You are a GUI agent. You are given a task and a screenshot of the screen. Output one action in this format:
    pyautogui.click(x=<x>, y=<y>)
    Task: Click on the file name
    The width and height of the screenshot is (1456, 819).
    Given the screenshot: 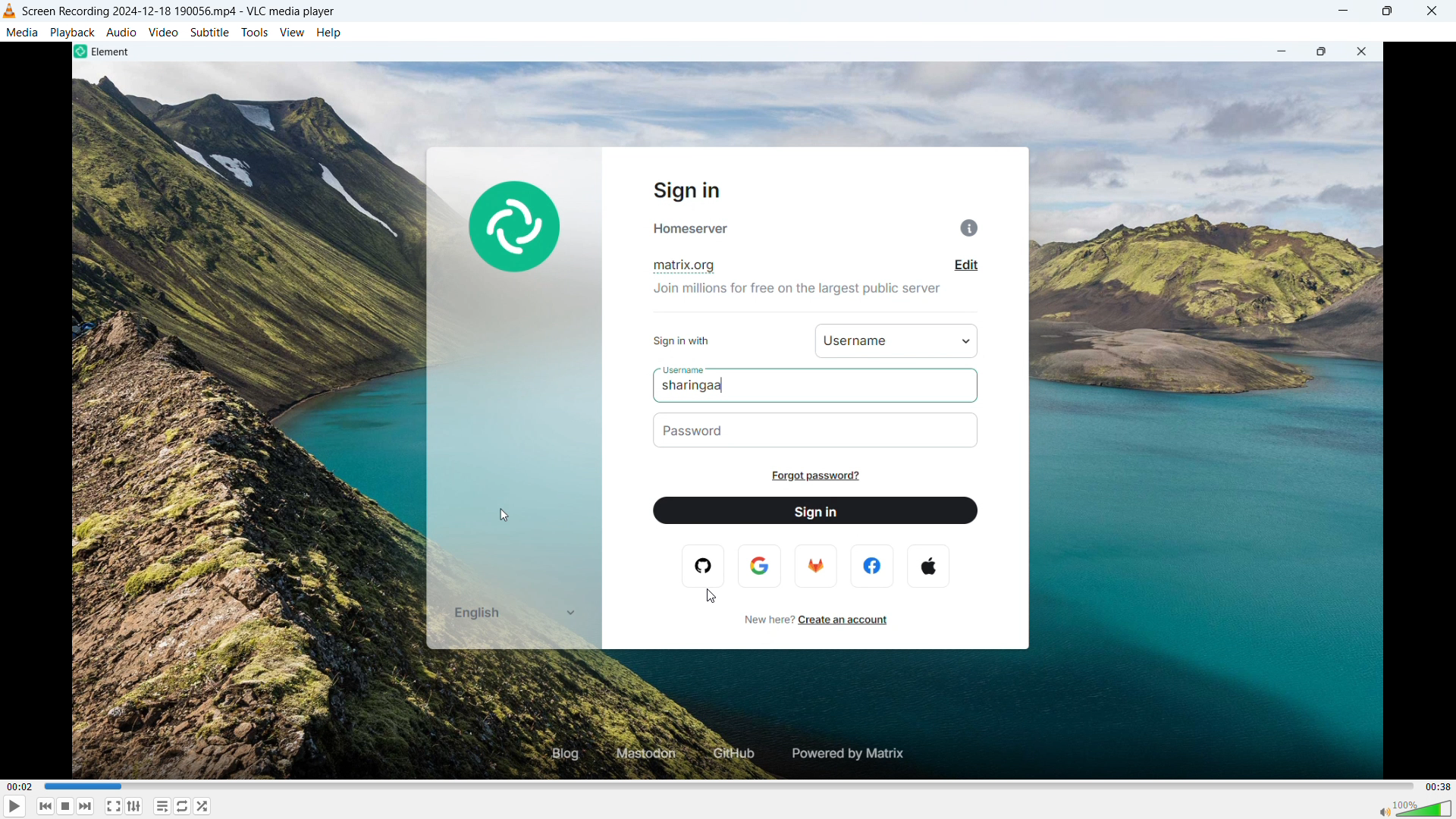 What is the action you would take?
    pyautogui.click(x=179, y=12)
    